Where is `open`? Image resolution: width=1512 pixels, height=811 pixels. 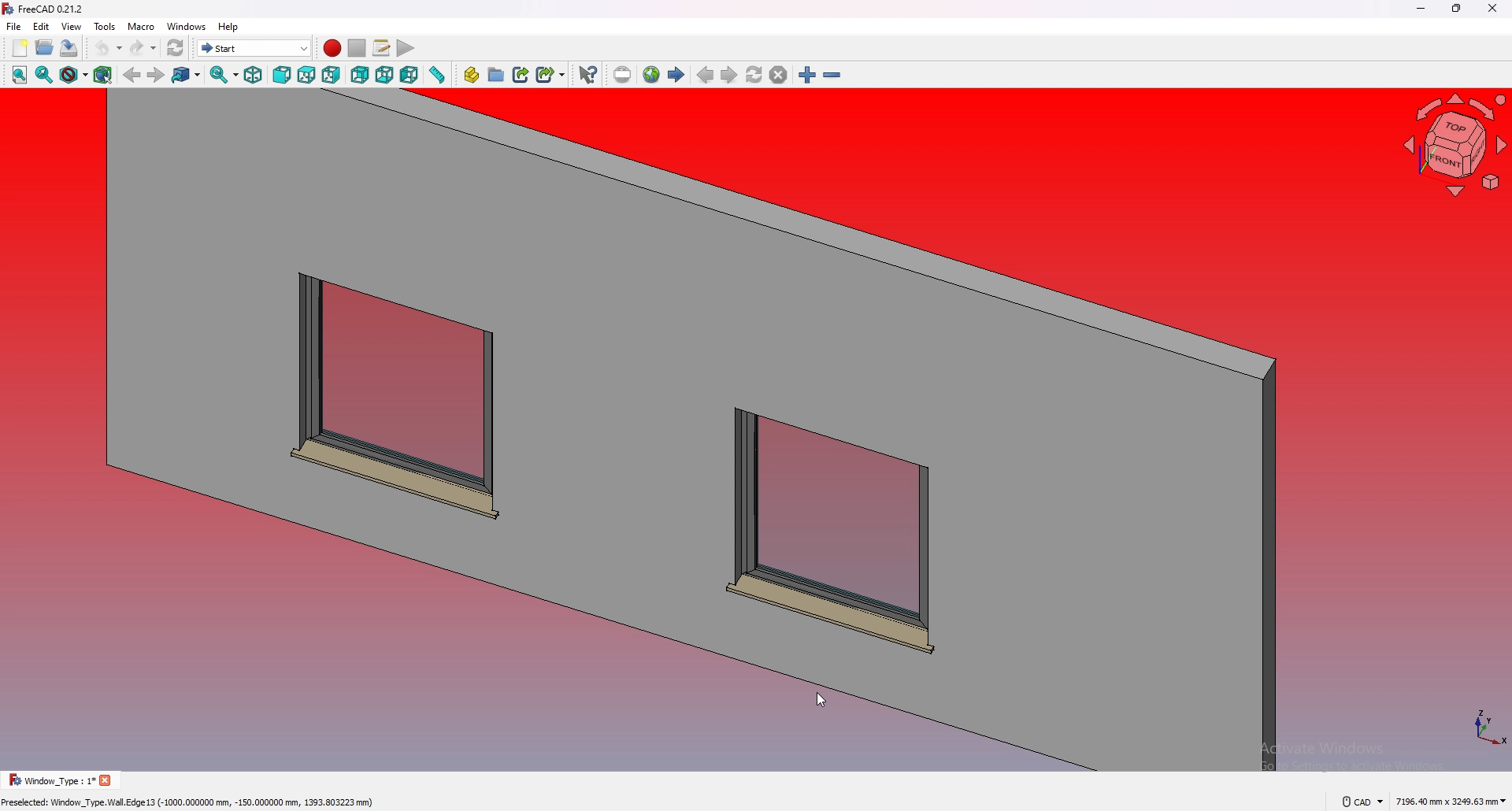 open is located at coordinates (46, 47).